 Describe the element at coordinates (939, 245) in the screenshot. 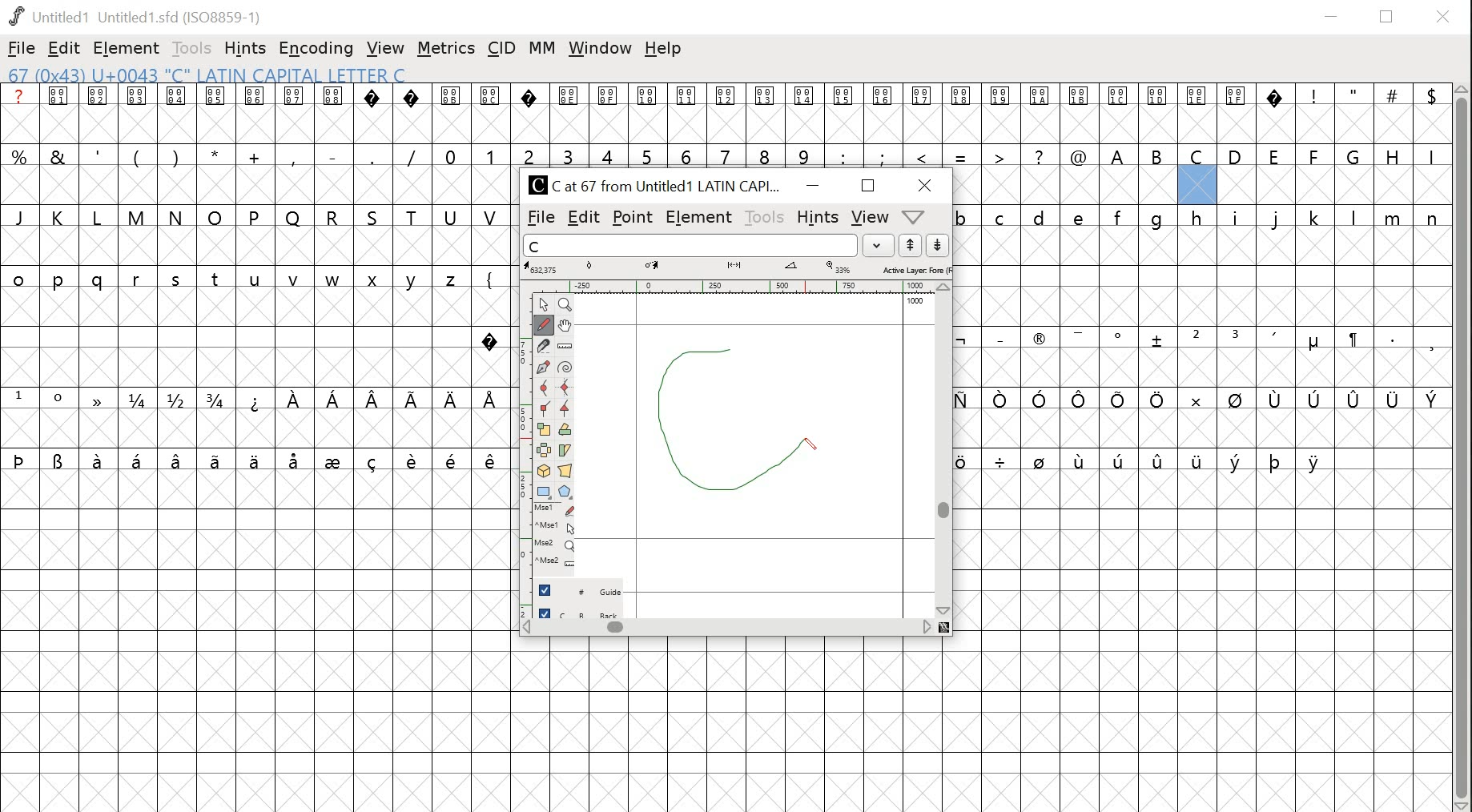

I see `down` at that location.